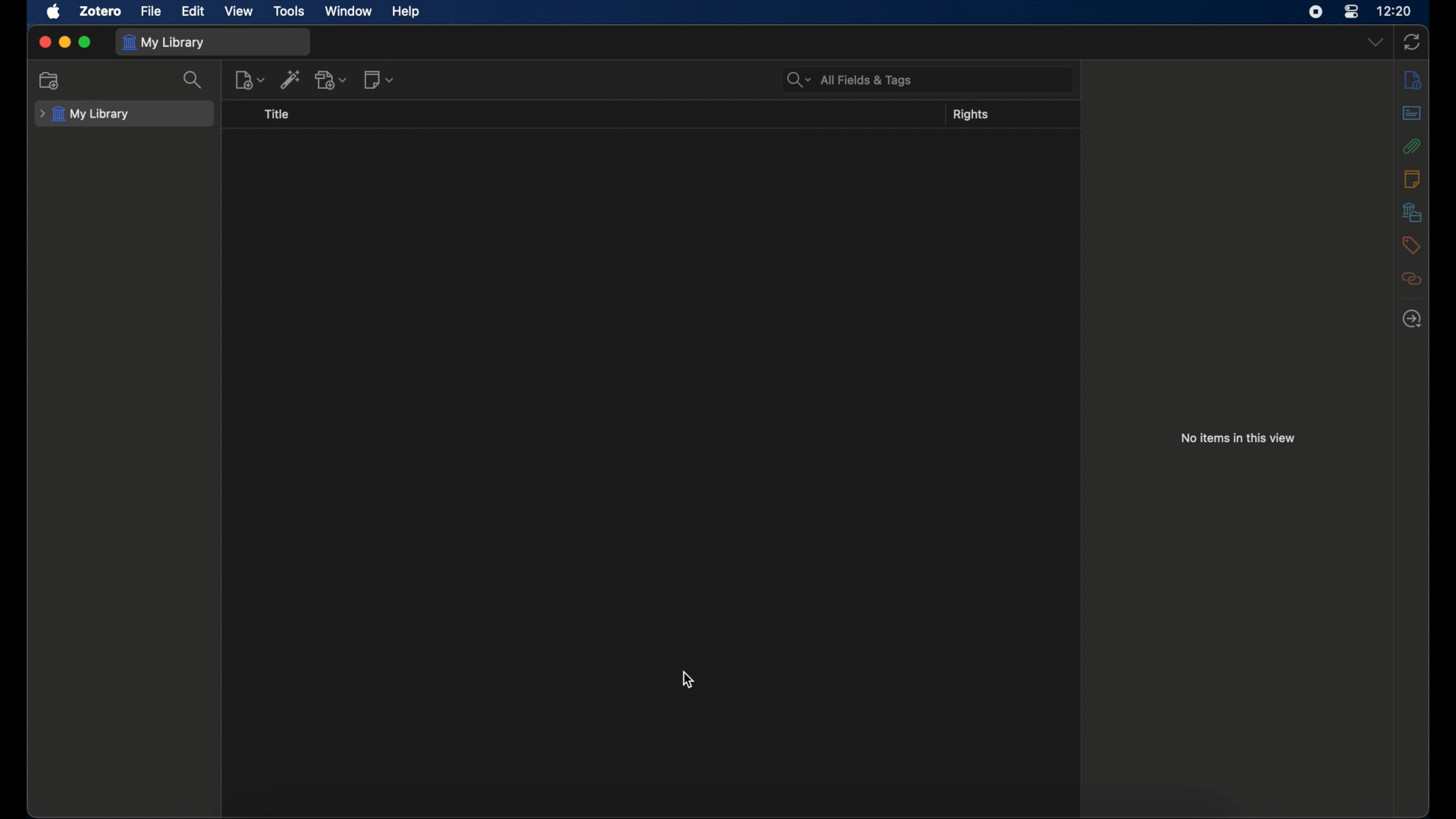 This screenshot has height=819, width=1456. Describe the element at coordinates (1377, 43) in the screenshot. I see `dropdown` at that location.